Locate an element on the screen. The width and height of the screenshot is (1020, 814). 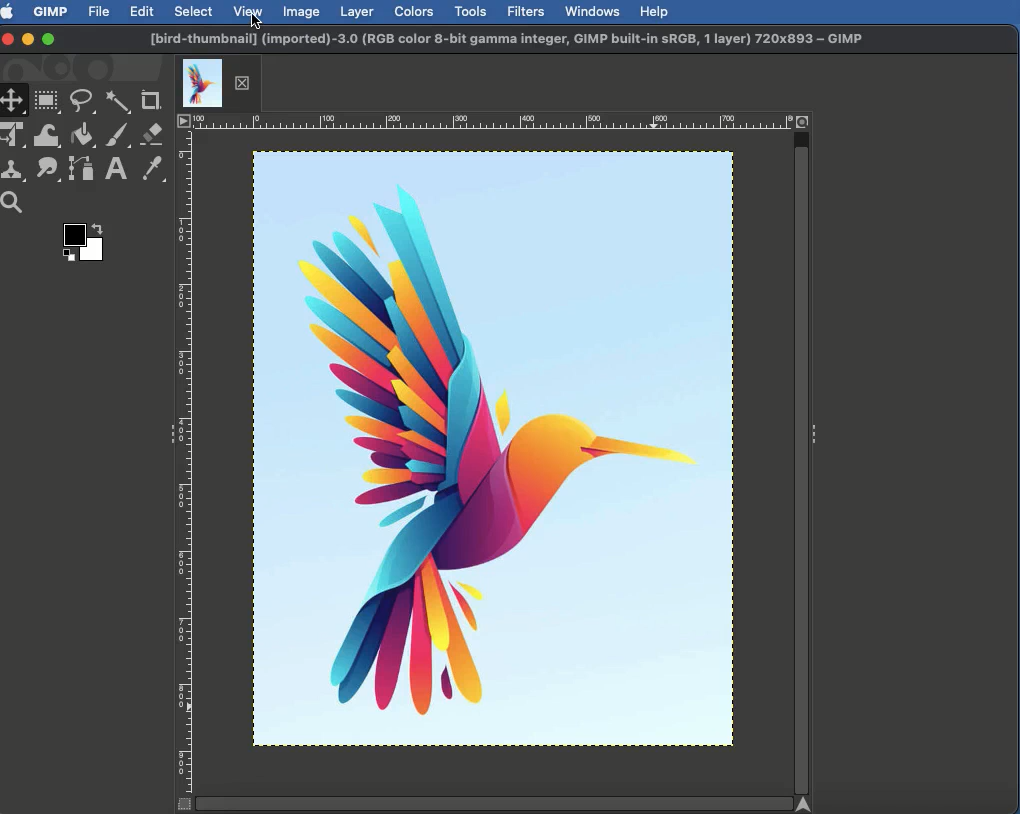
close current tab is located at coordinates (247, 83).